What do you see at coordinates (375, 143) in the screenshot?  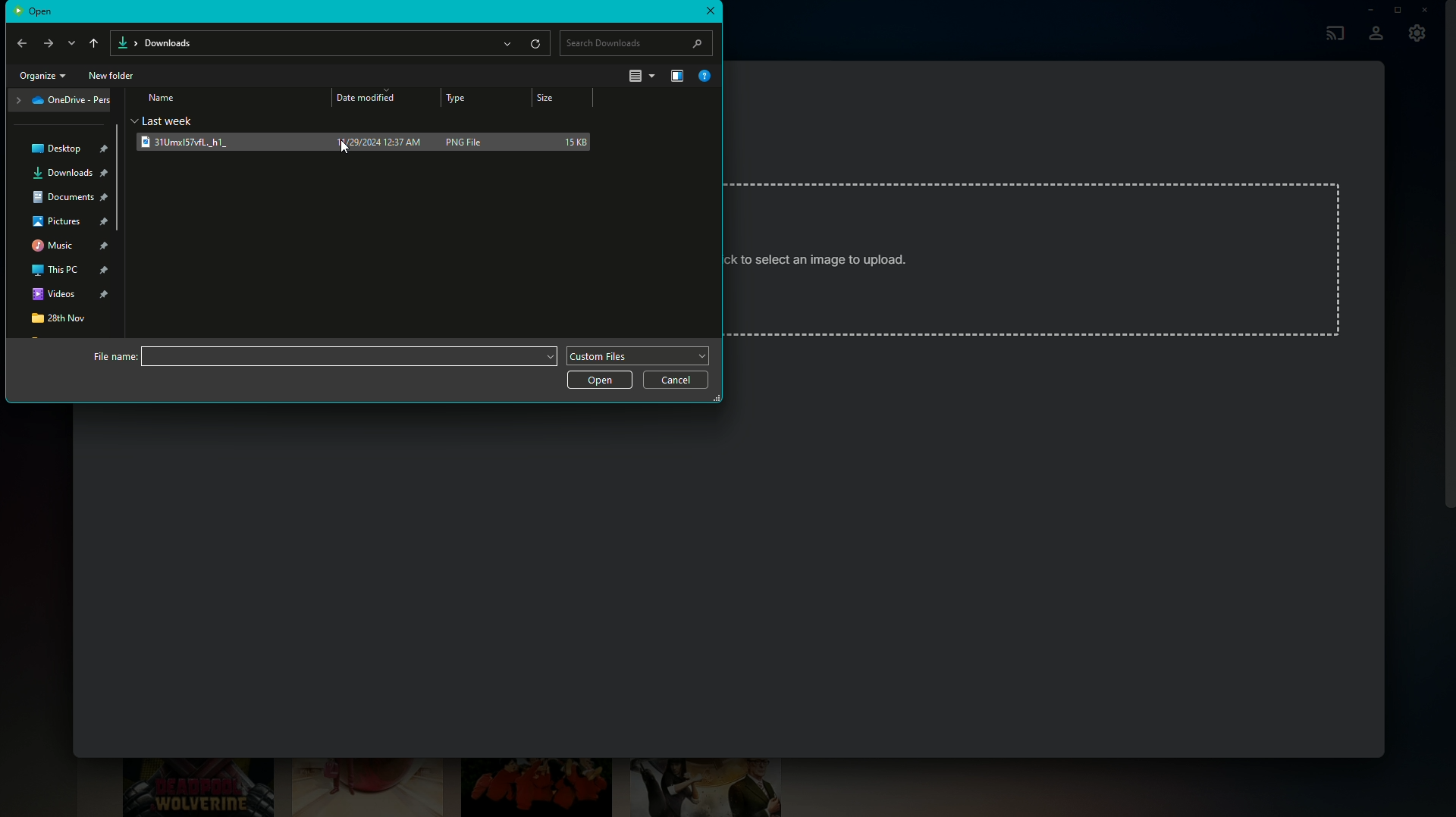 I see `Date and time` at bounding box center [375, 143].